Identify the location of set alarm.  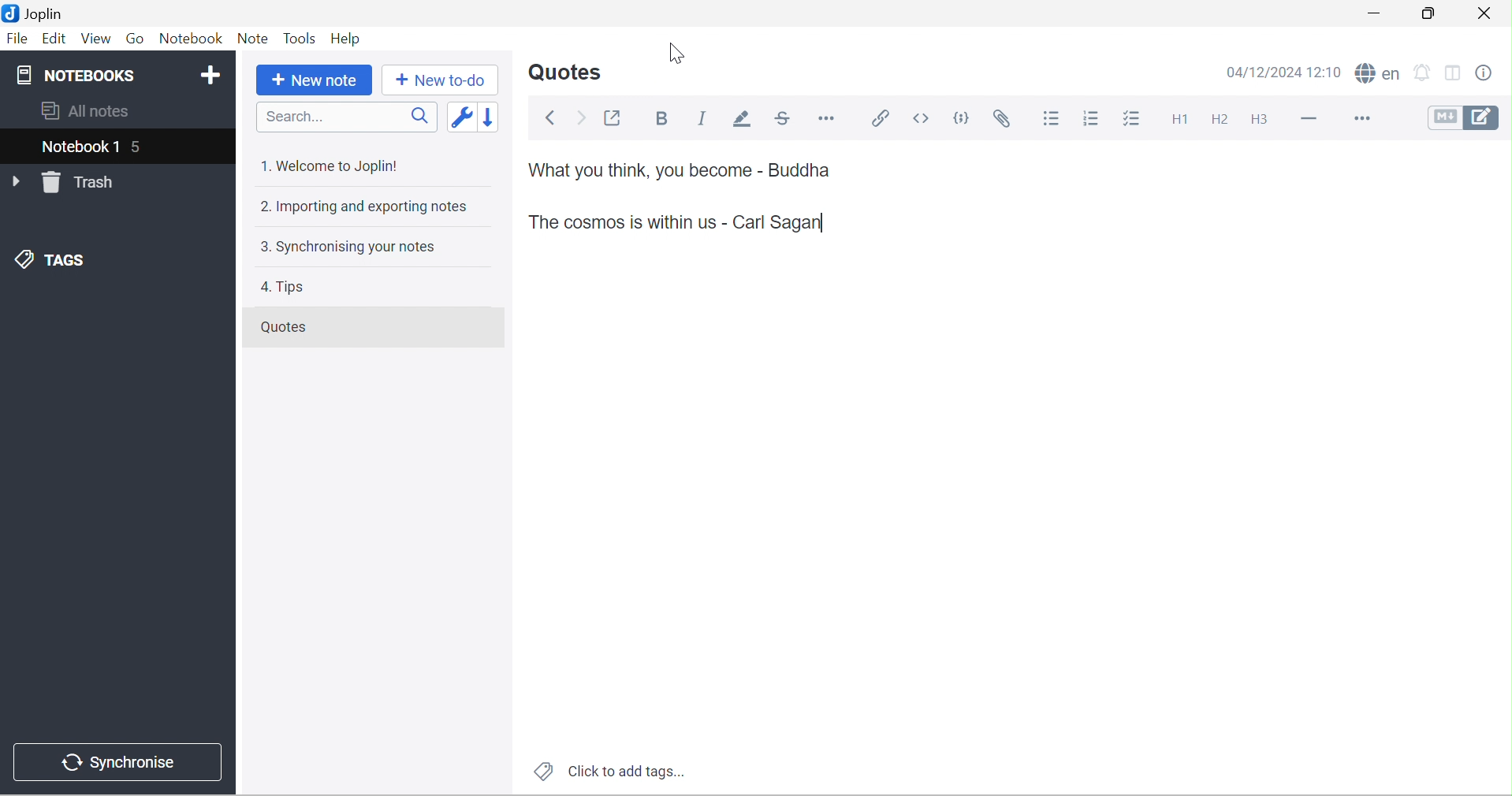
(1423, 71).